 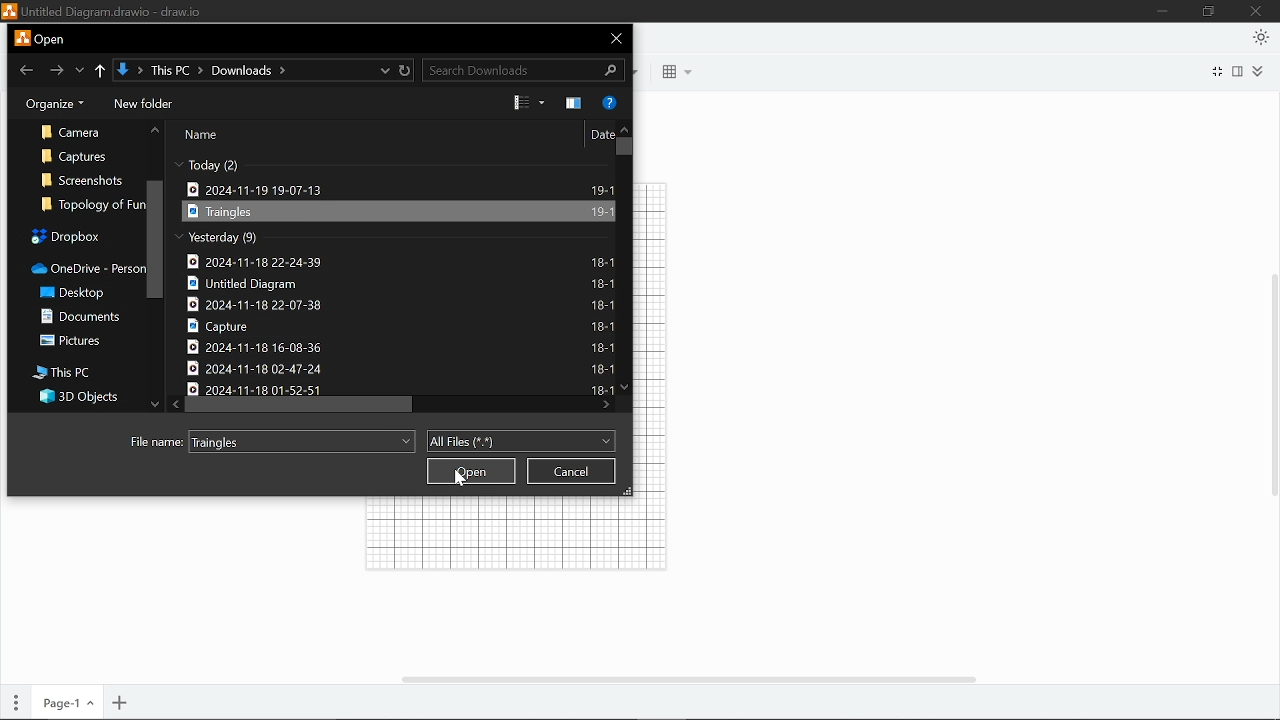 What do you see at coordinates (75, 293) in the screenshot?
I see `Desktop` at bounding box center [75, 293].